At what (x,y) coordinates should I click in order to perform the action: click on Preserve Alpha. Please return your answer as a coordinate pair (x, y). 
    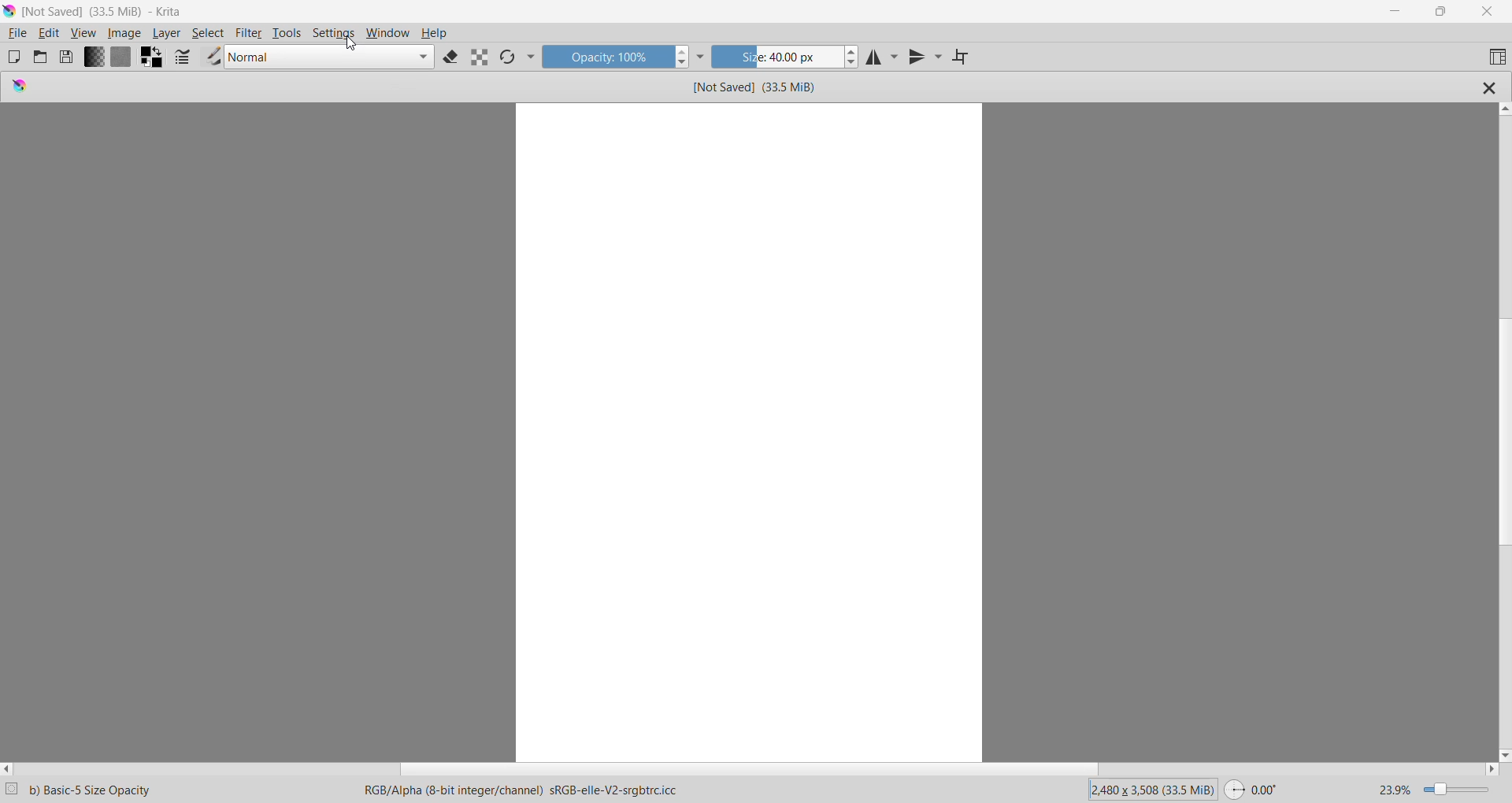
    Looking at the image, I should click on (480, 57).